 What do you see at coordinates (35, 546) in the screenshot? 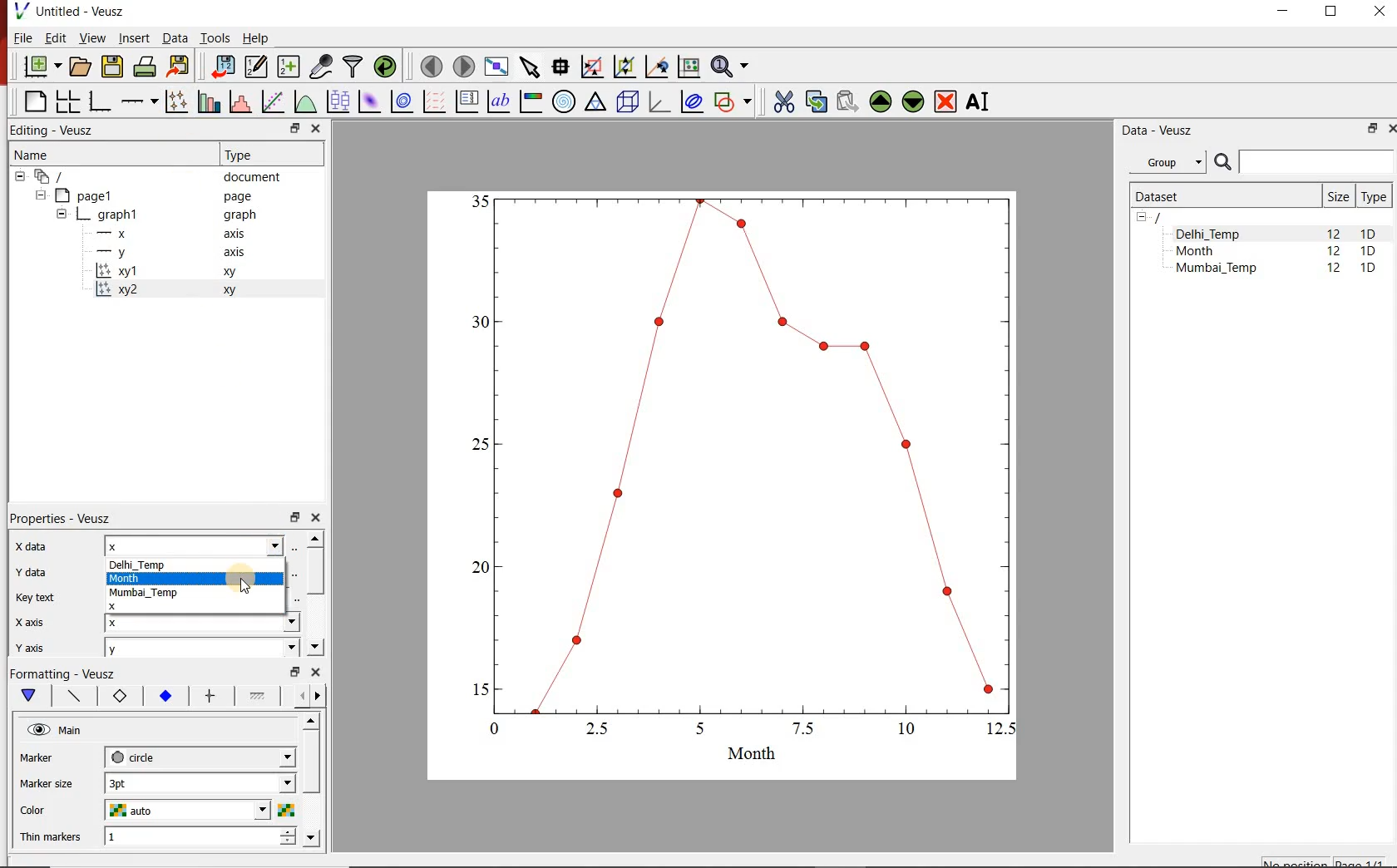
I see `x-data` at bounding box center [35, 546].